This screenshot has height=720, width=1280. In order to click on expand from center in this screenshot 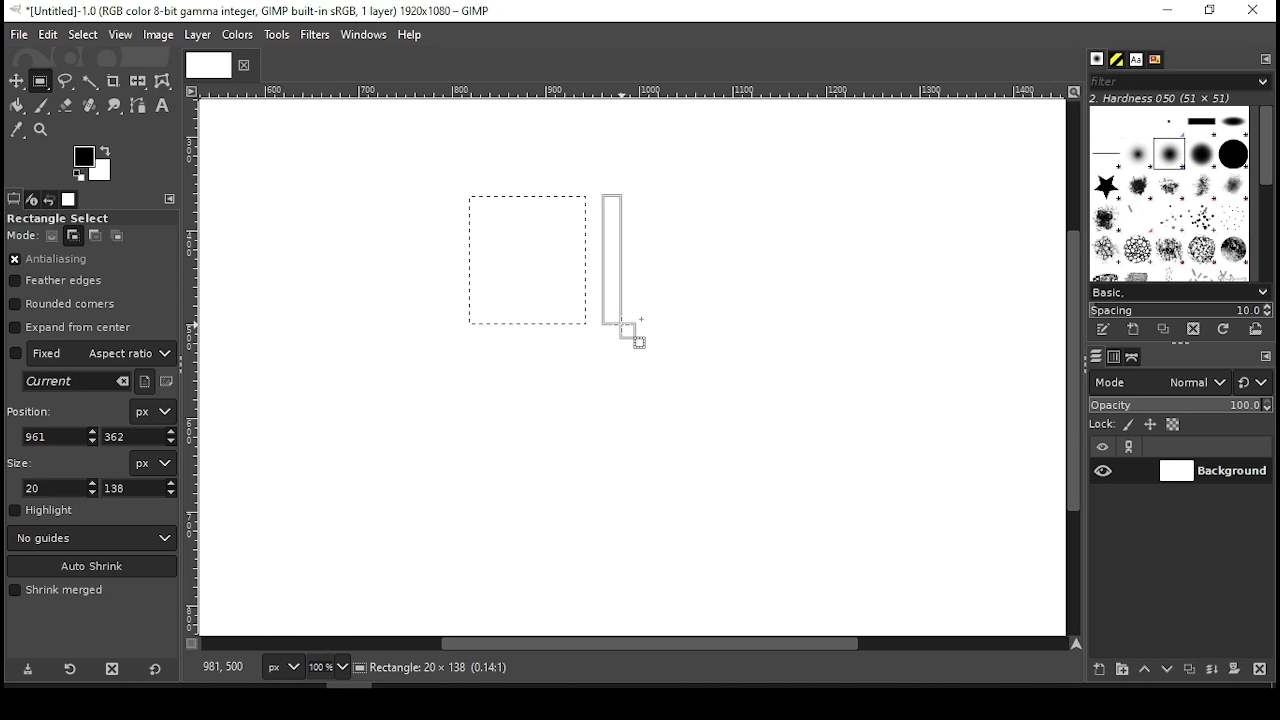, I will do `click(71, 325)`.